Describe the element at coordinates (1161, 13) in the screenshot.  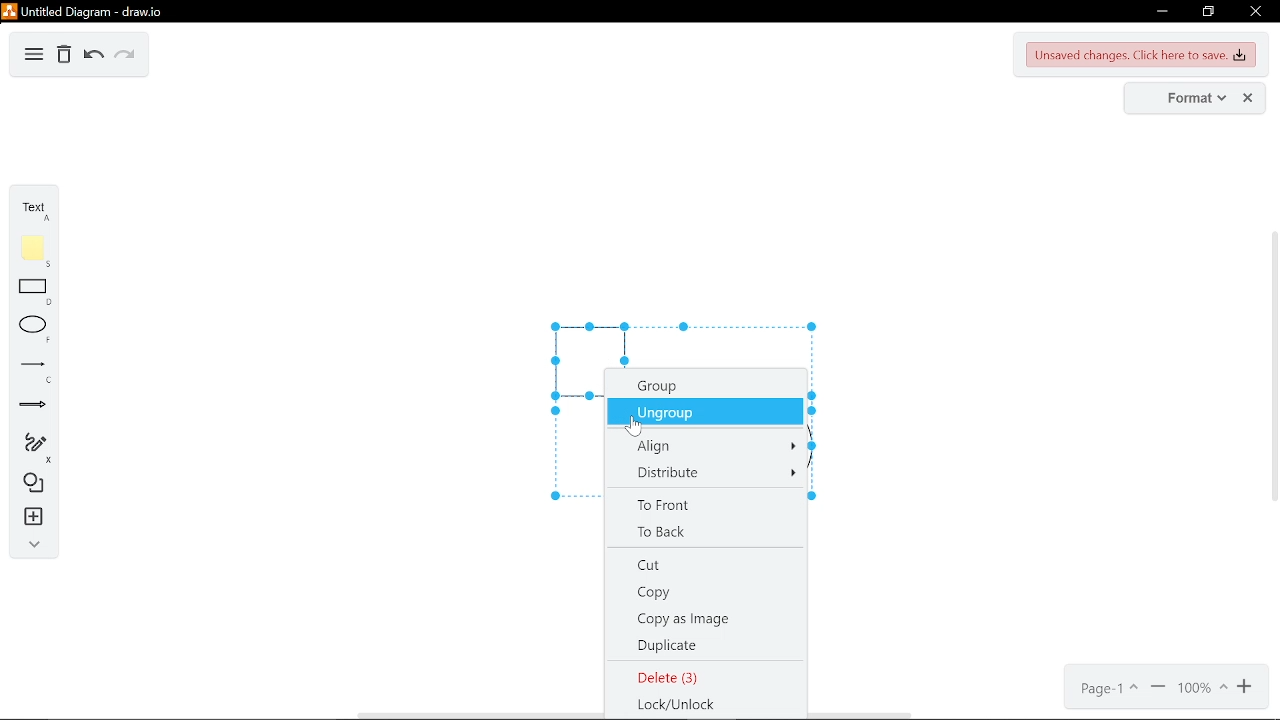
I see `minimize` at that location.